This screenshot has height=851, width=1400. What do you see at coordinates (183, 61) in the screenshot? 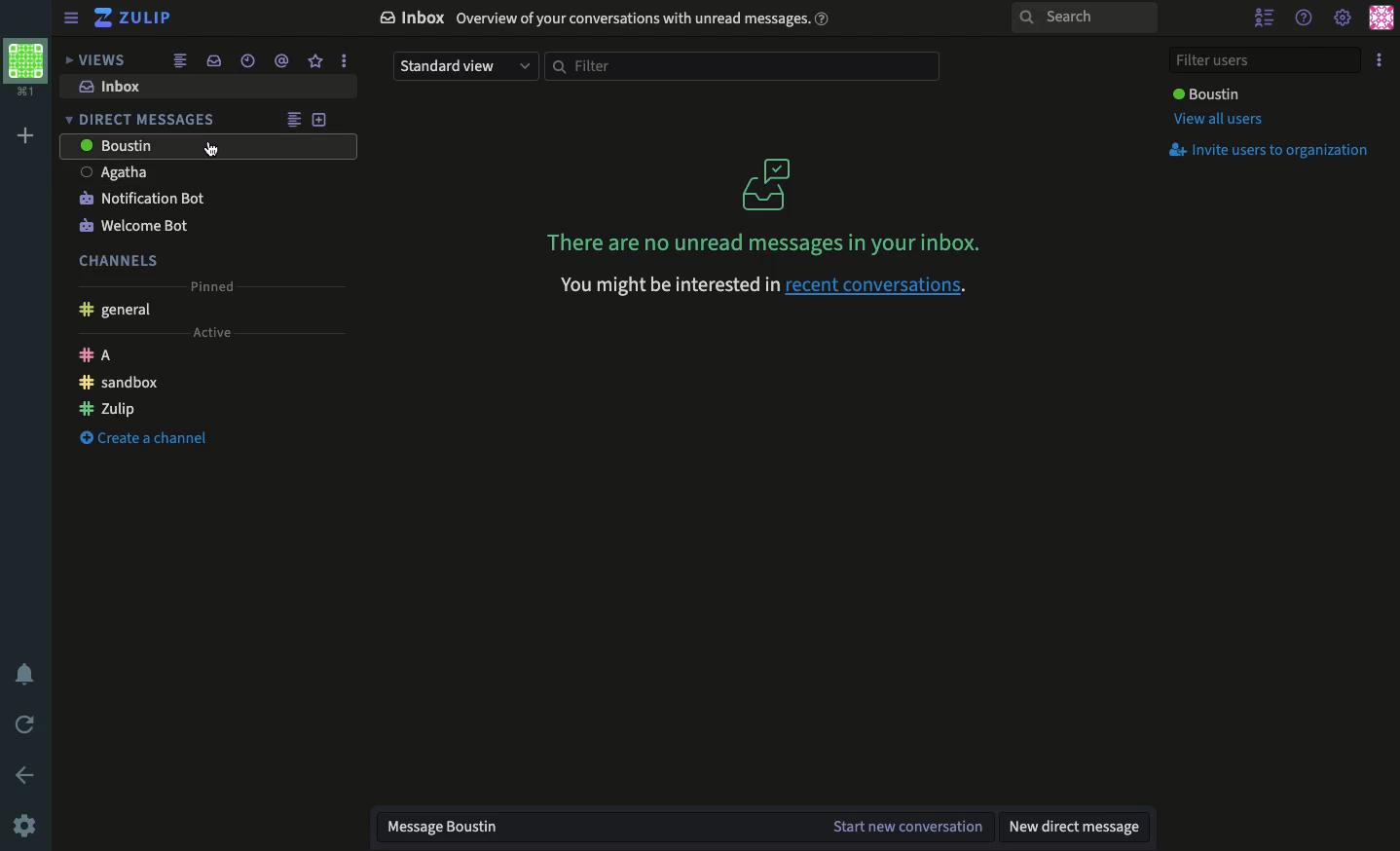
I see `Feed` at bounding box center [183, 61].